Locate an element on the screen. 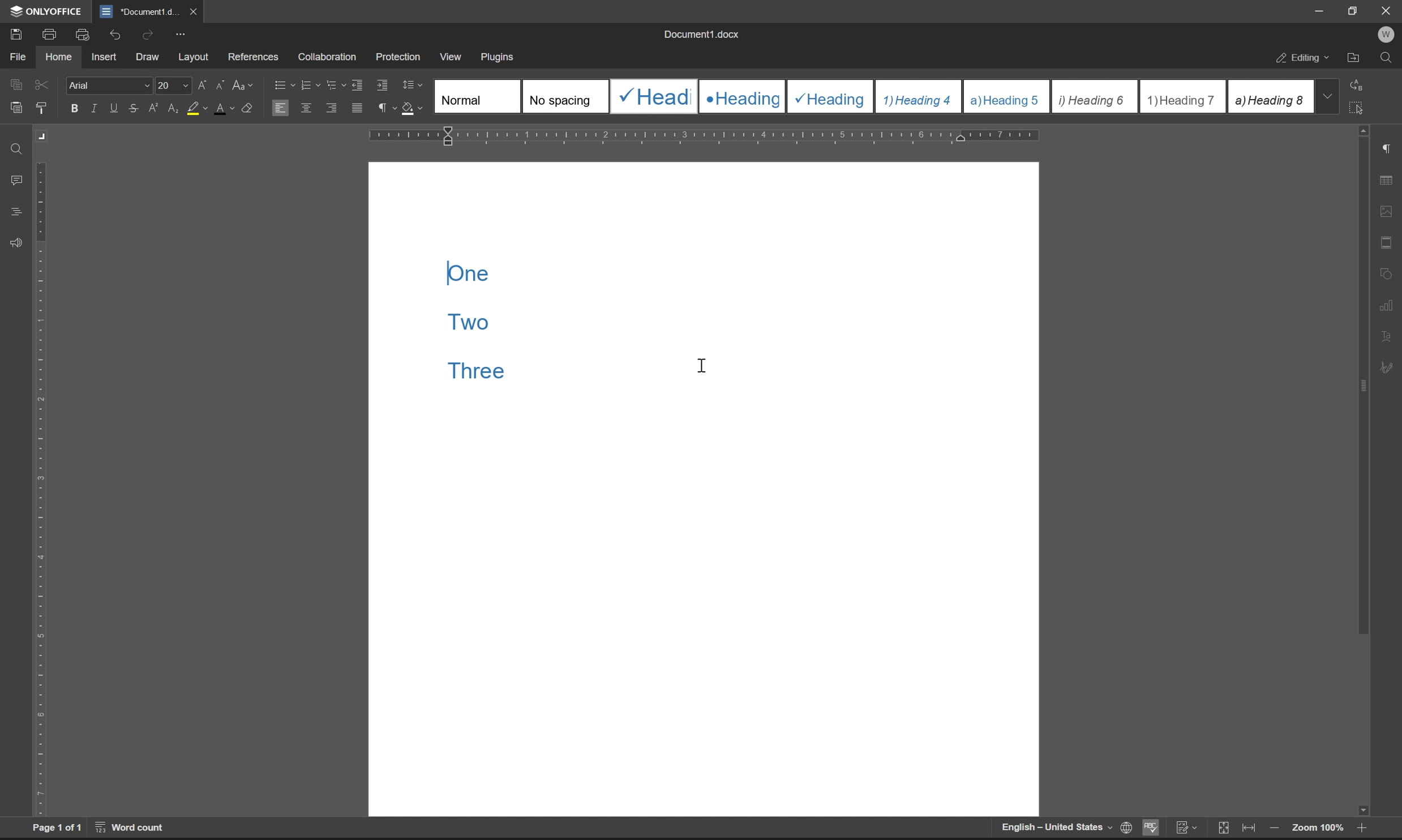 The height and width of the screenshot is (840, 1402). align left is located at coordinates (280, 107).